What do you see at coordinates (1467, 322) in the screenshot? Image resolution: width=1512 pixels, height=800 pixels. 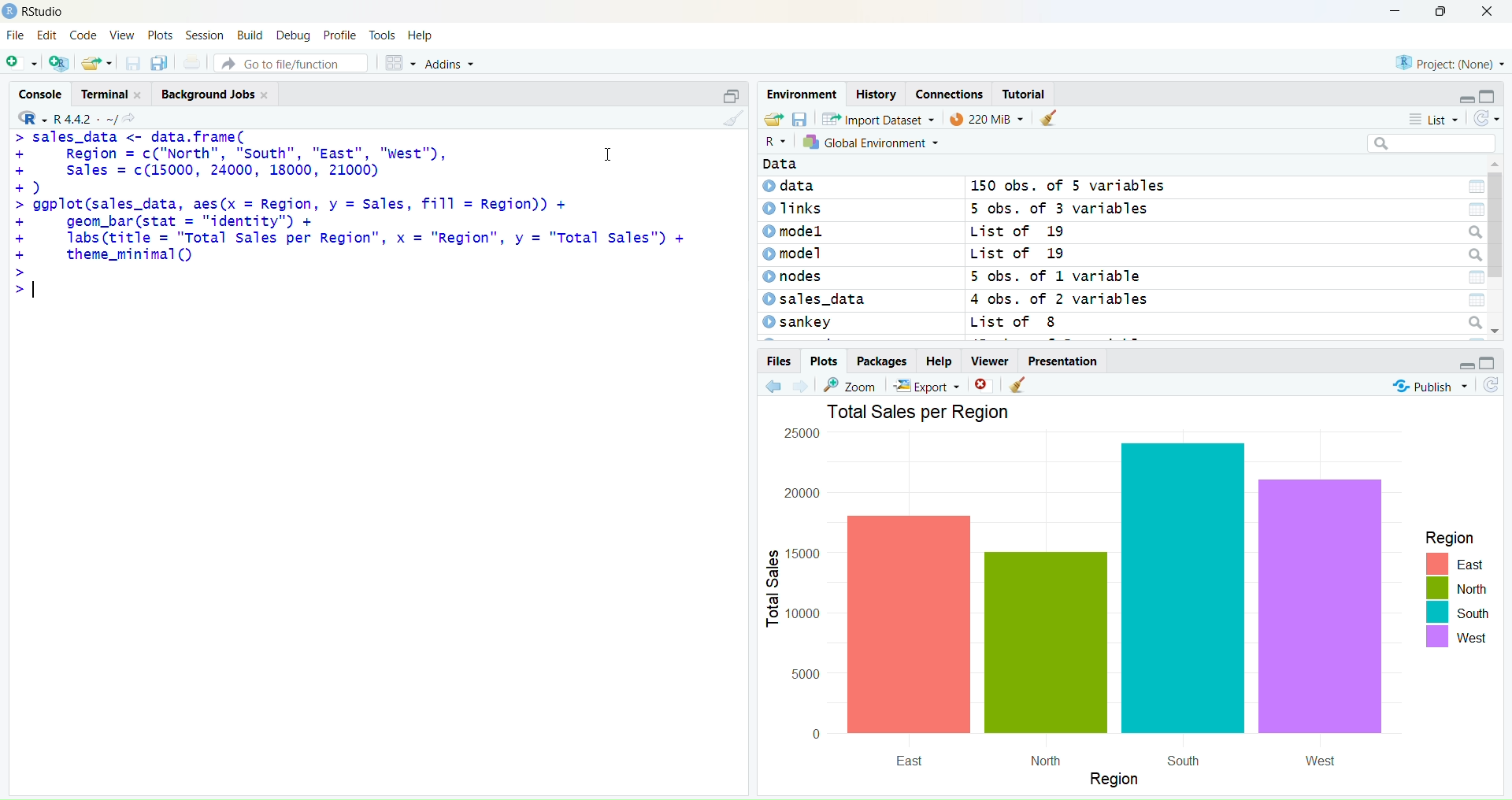 I see `search` at bounding box center [1467, 322].